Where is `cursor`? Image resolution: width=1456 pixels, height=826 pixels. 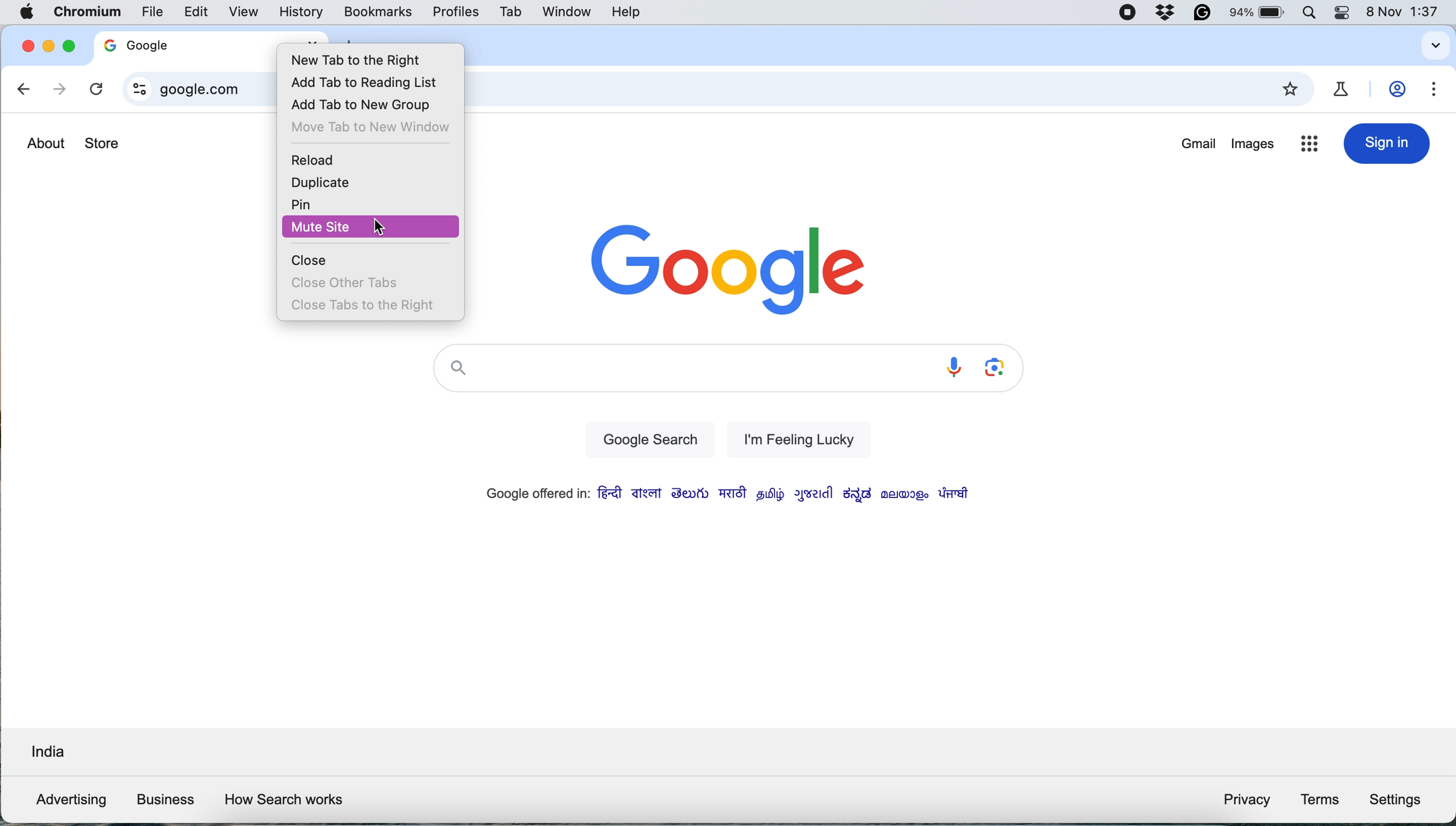 cursor is located at coordinates (384, 229).